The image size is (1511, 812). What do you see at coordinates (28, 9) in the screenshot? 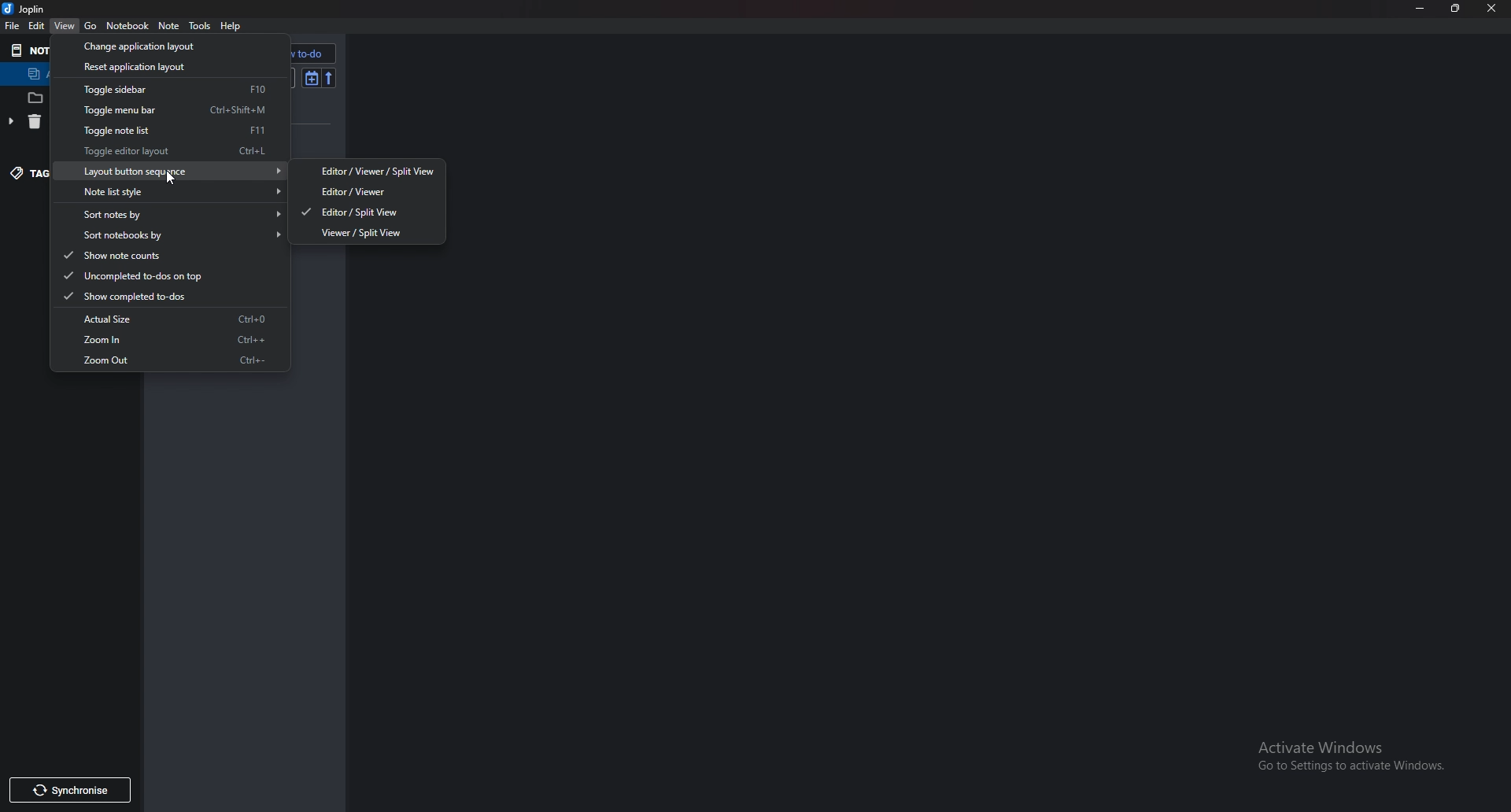
I see `joplin` at bounding box center [28, 9].